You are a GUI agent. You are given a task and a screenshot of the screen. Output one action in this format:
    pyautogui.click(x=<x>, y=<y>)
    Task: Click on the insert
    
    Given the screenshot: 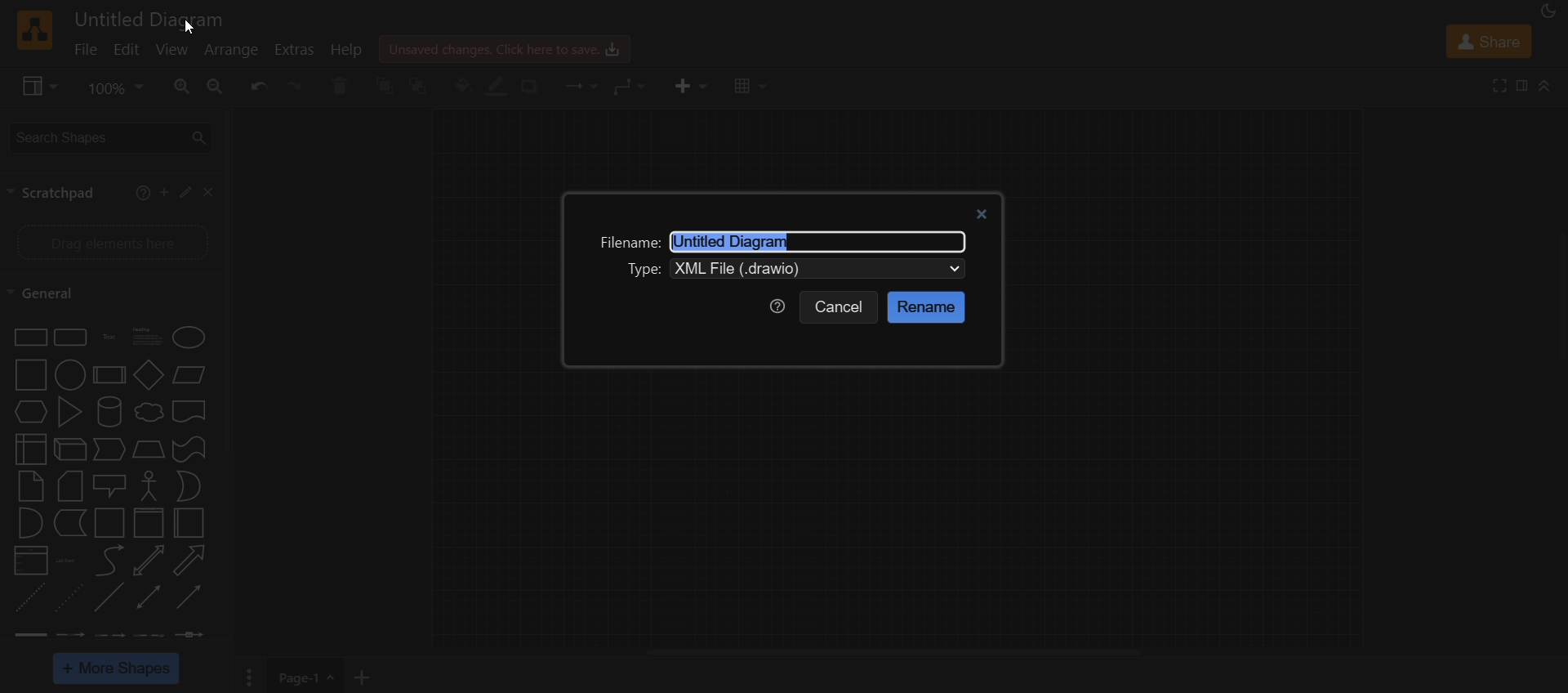 What is the action you would take?
    pyautogui.click(x=687, y=86)
    